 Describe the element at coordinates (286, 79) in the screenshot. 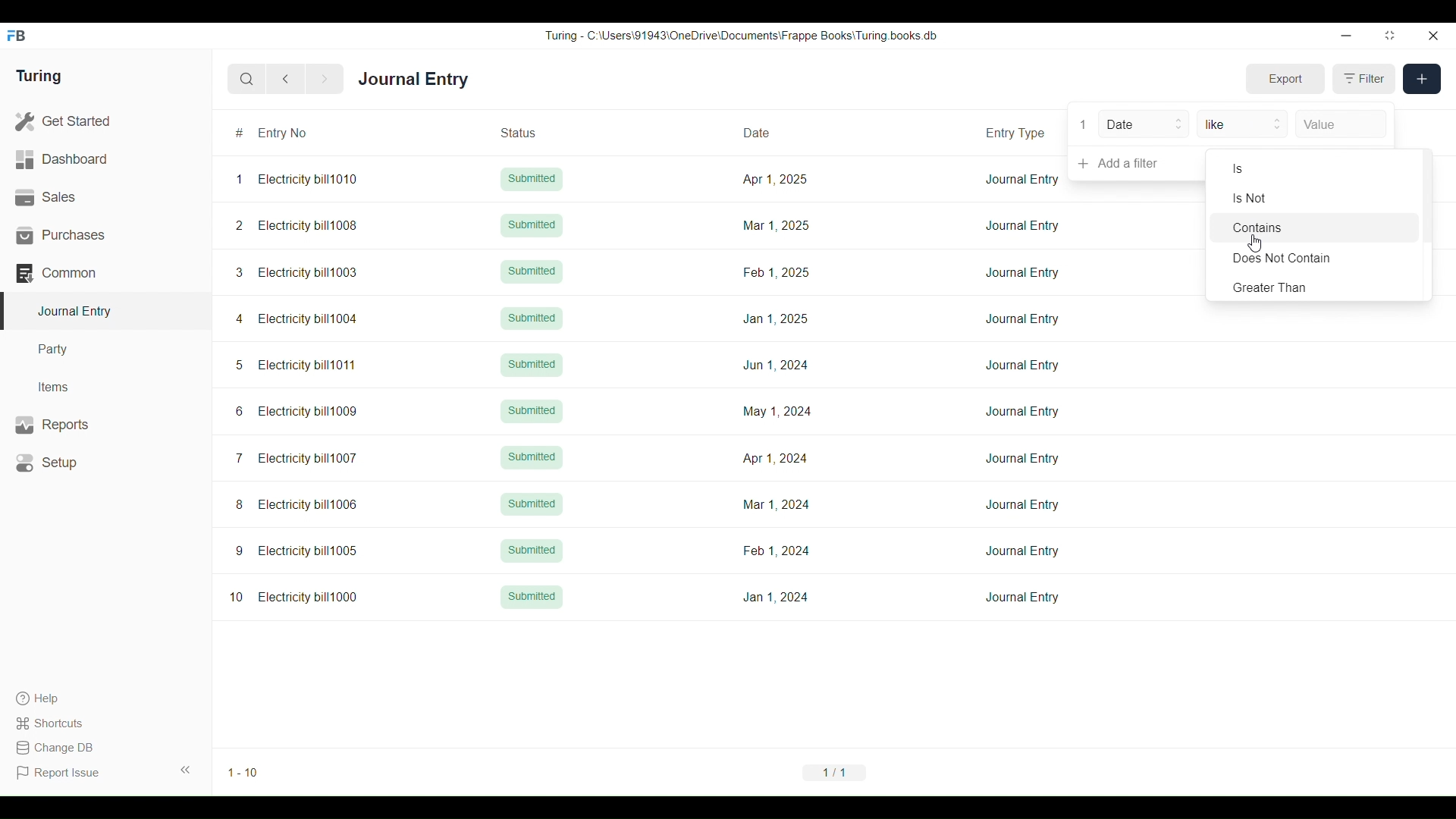

I see `Previous` at that location.